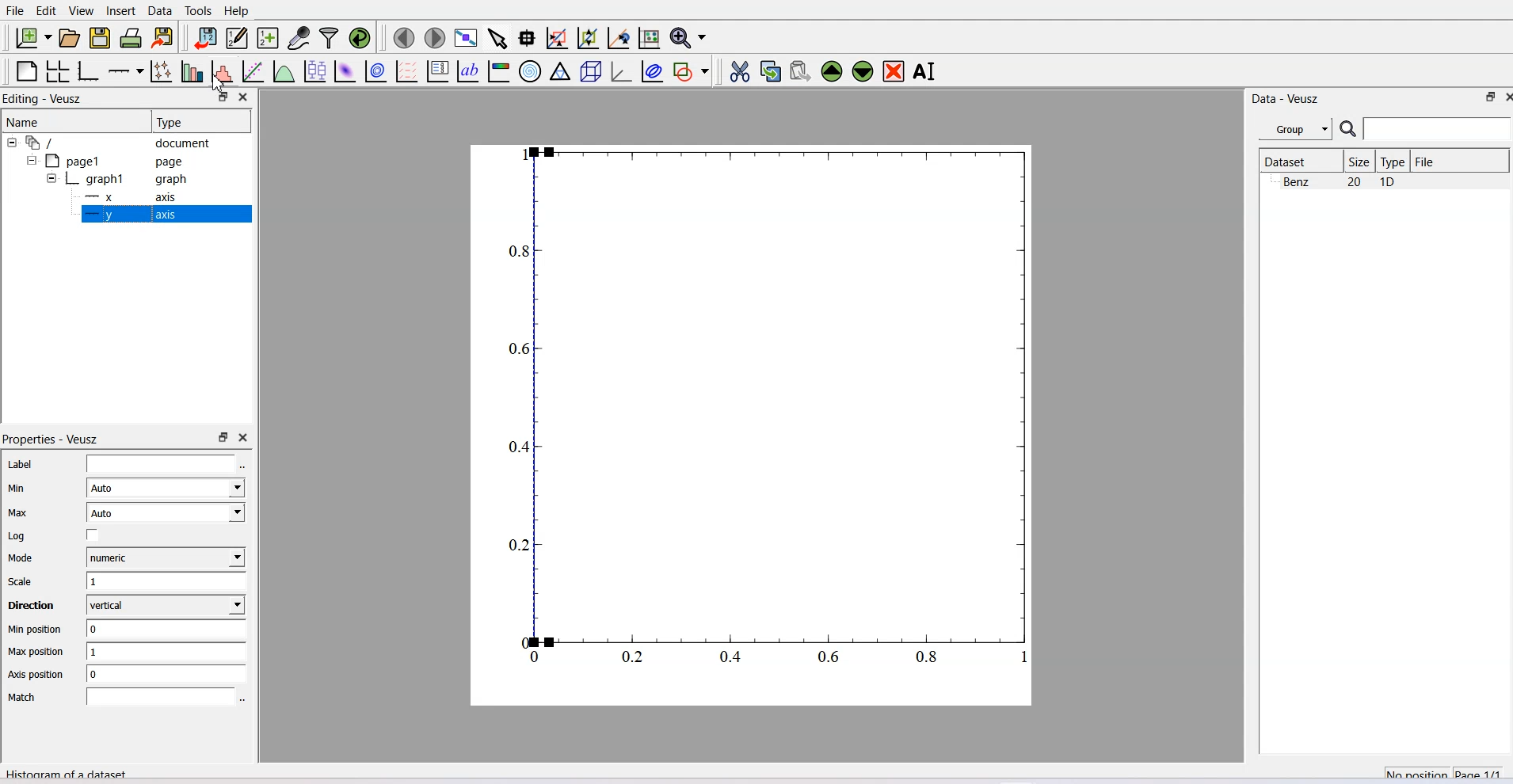 This screenshot has height=784, width=1513. What do you see at coordinates (123, 11) in the screenshot?
I see `Insert` at bounding box center [123, 11].